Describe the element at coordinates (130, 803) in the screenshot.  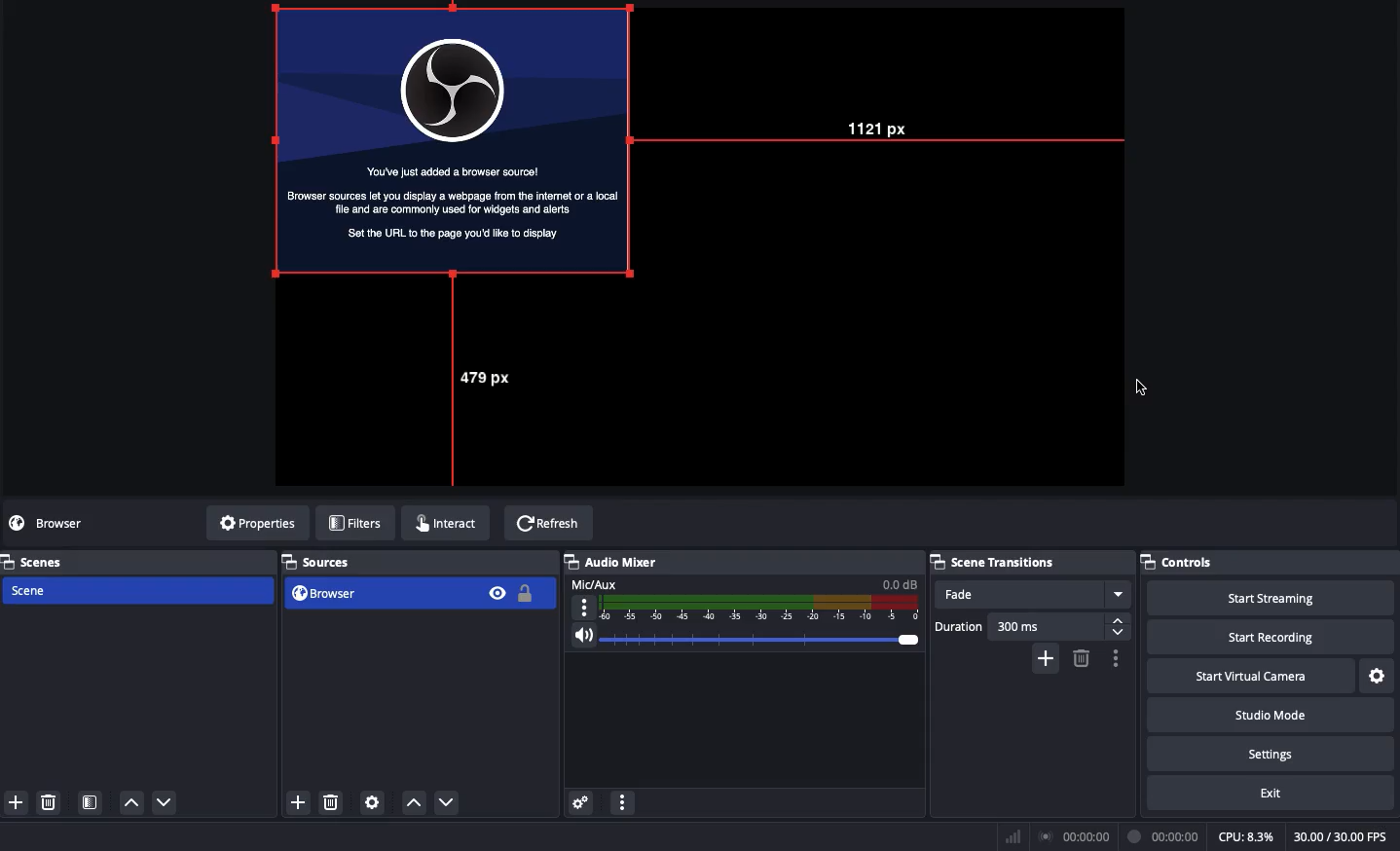
I see `move up` at that location.